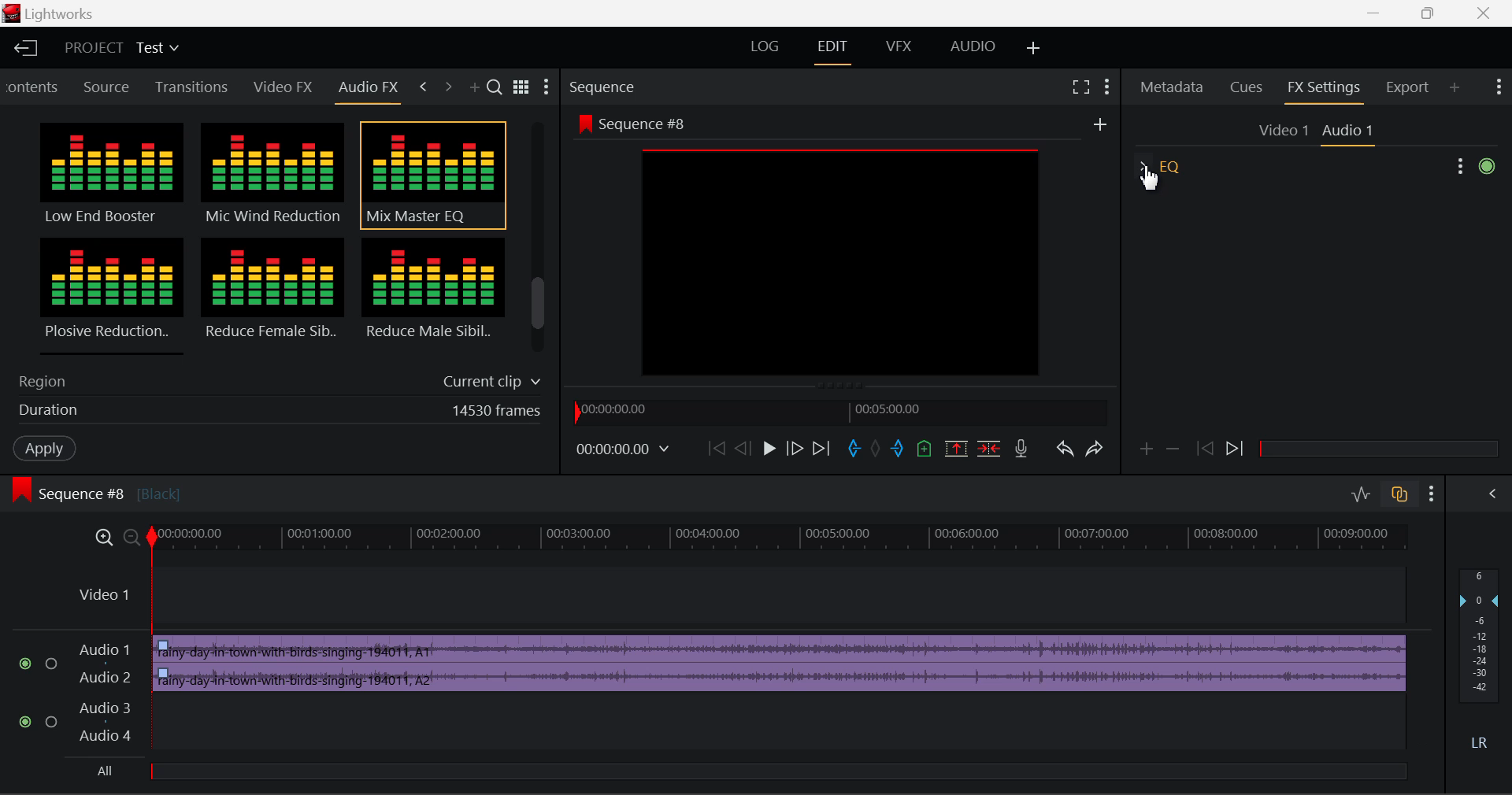  What do you see at coordinates (1325, 91) in the screenshot?
I see `FX Settings Open` at bounding box center [1325, 91].